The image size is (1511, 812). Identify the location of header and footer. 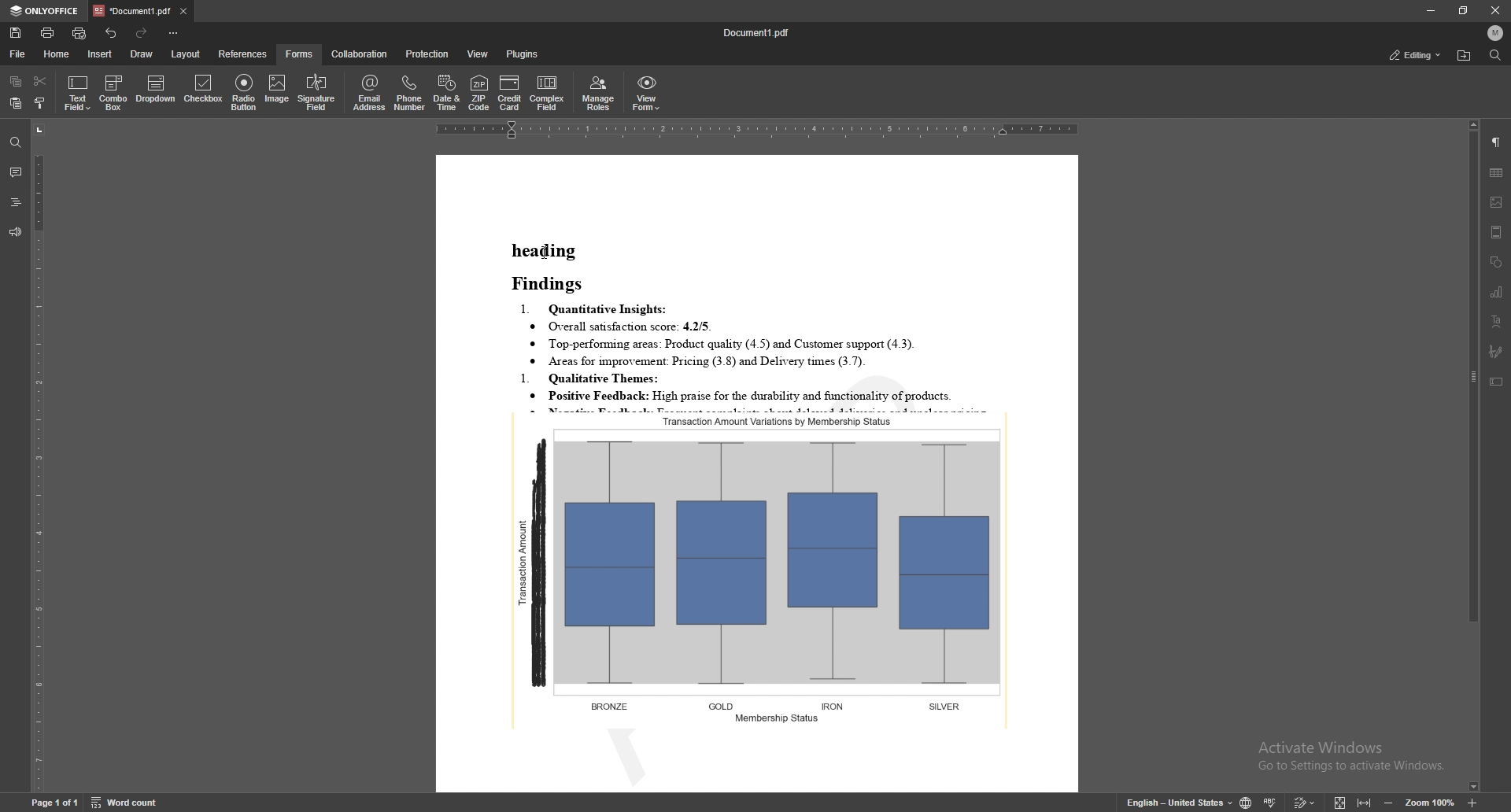
(1496, 232).